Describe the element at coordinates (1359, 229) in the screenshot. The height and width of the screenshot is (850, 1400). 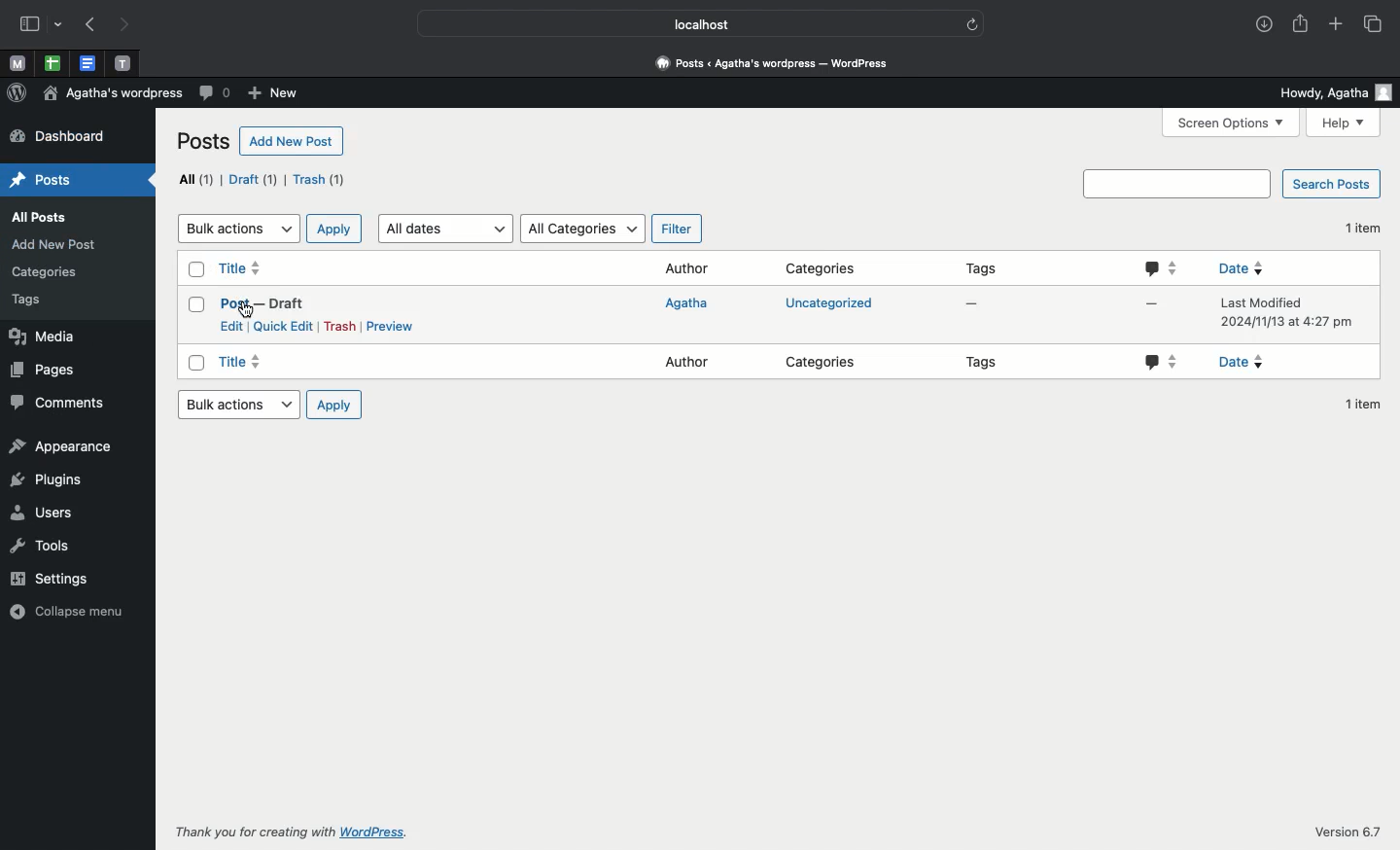
I see `1 item` at that location.